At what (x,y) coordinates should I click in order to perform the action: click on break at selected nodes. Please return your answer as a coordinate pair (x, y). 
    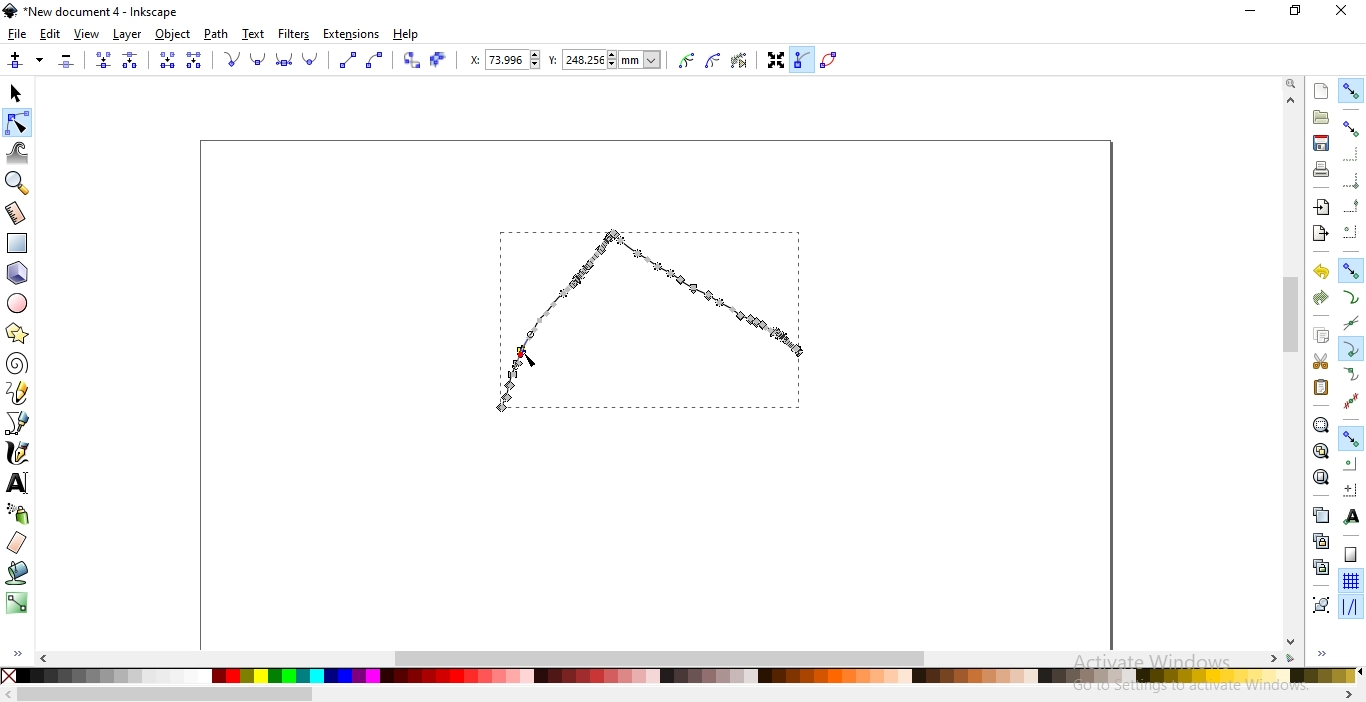
    Looking at the image, I should click on (131, 60).